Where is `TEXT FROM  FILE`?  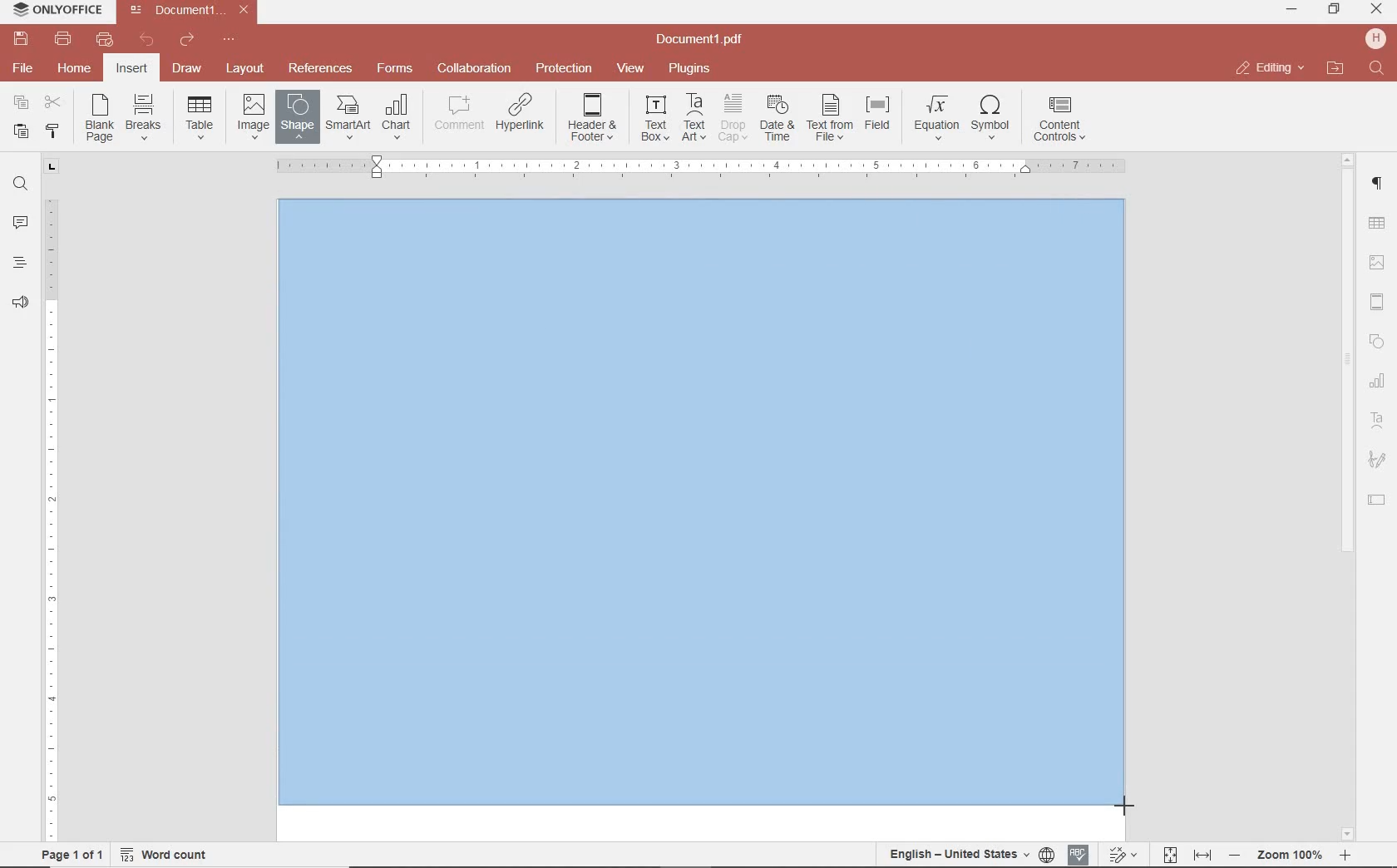 TEXT FROM  FILE is located at coordinates (830, 118).